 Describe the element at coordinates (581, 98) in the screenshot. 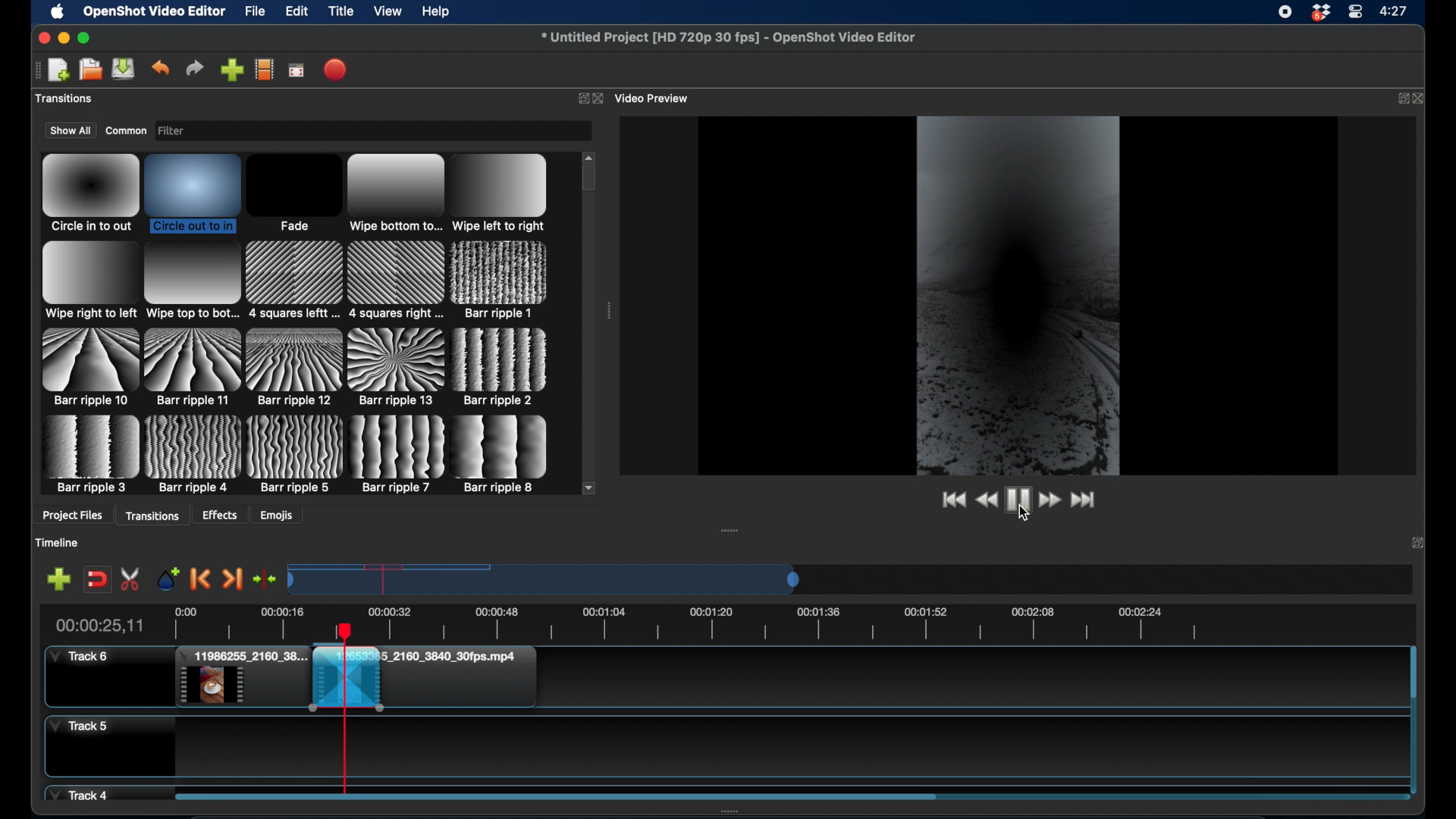

I see `expand` at that location.